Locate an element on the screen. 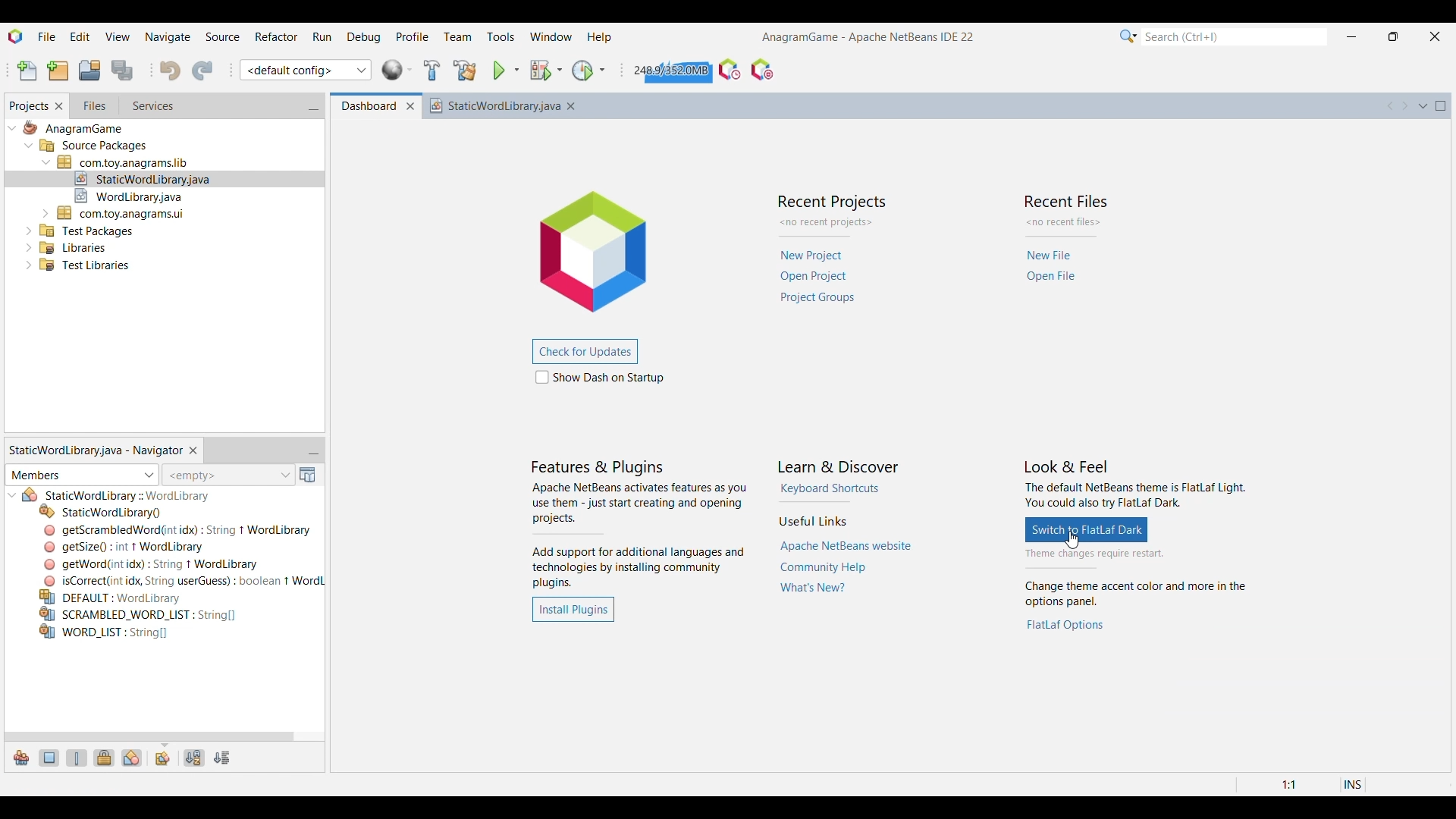 Image resolution: width=1456 pixels, height=819 pixels.  is located at coordinates (178, 530).